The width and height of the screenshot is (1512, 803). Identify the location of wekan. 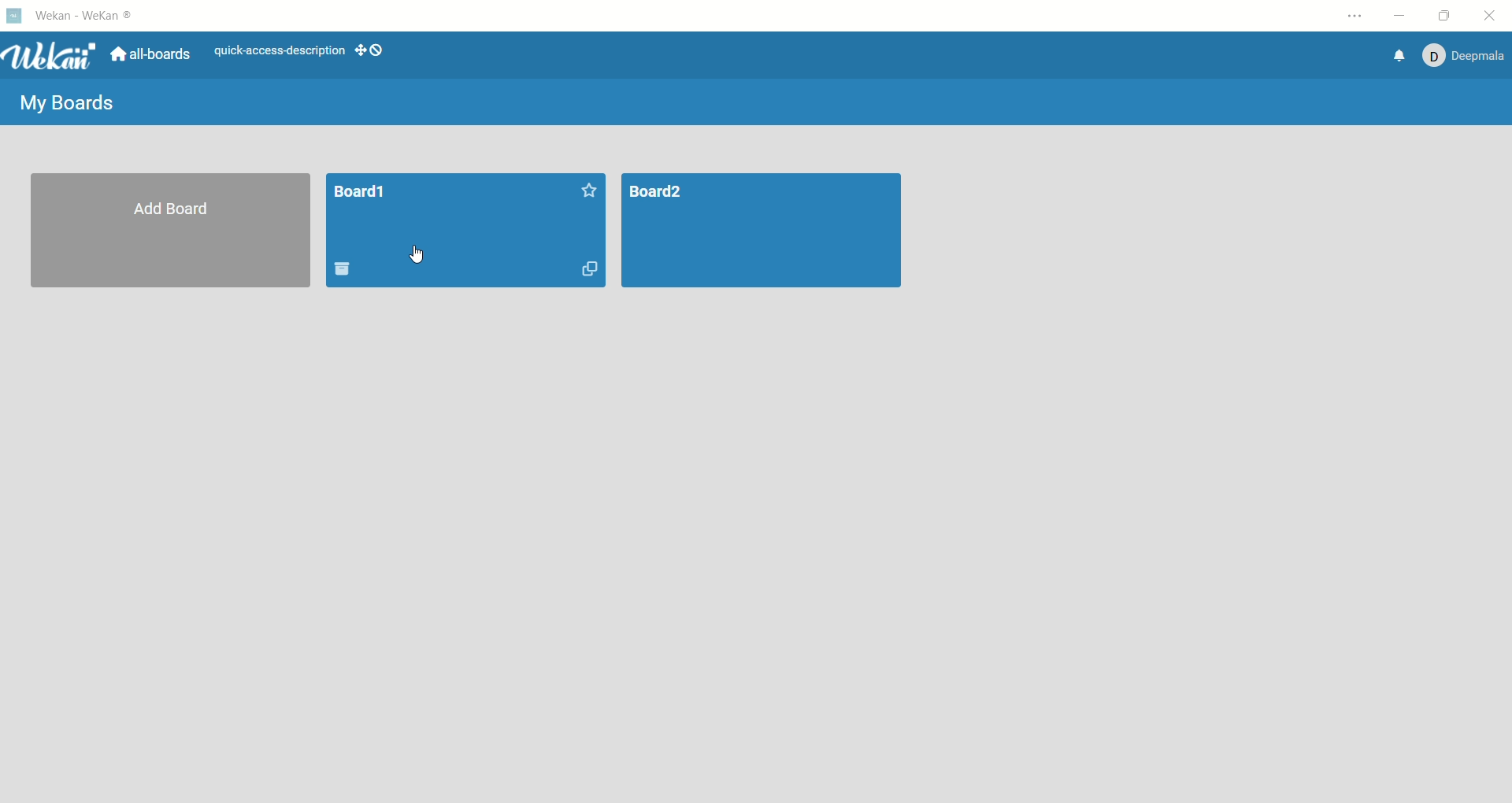
(50, 57).